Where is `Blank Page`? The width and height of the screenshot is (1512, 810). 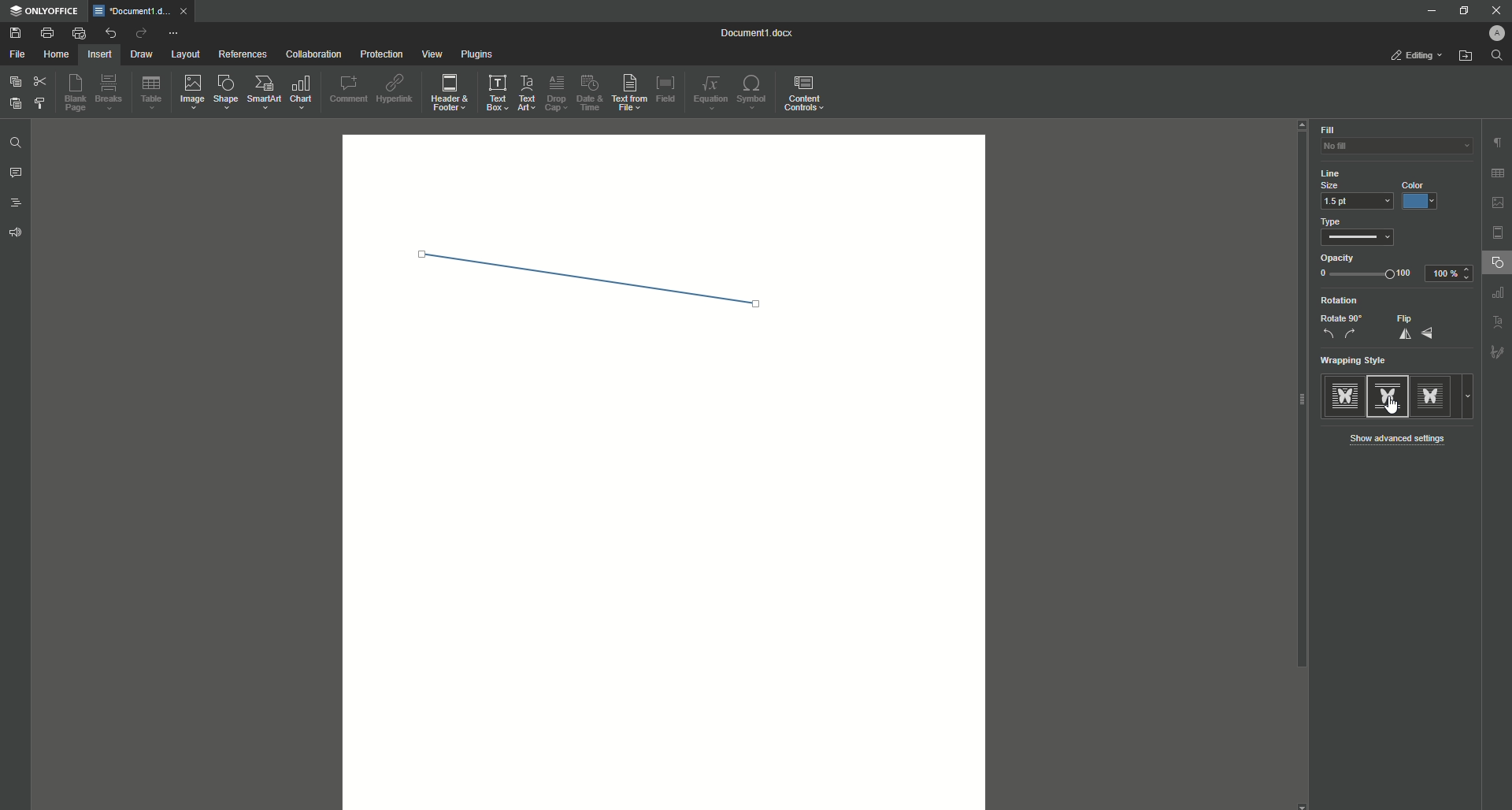
Blank Page is located at coordinates (78, 95).